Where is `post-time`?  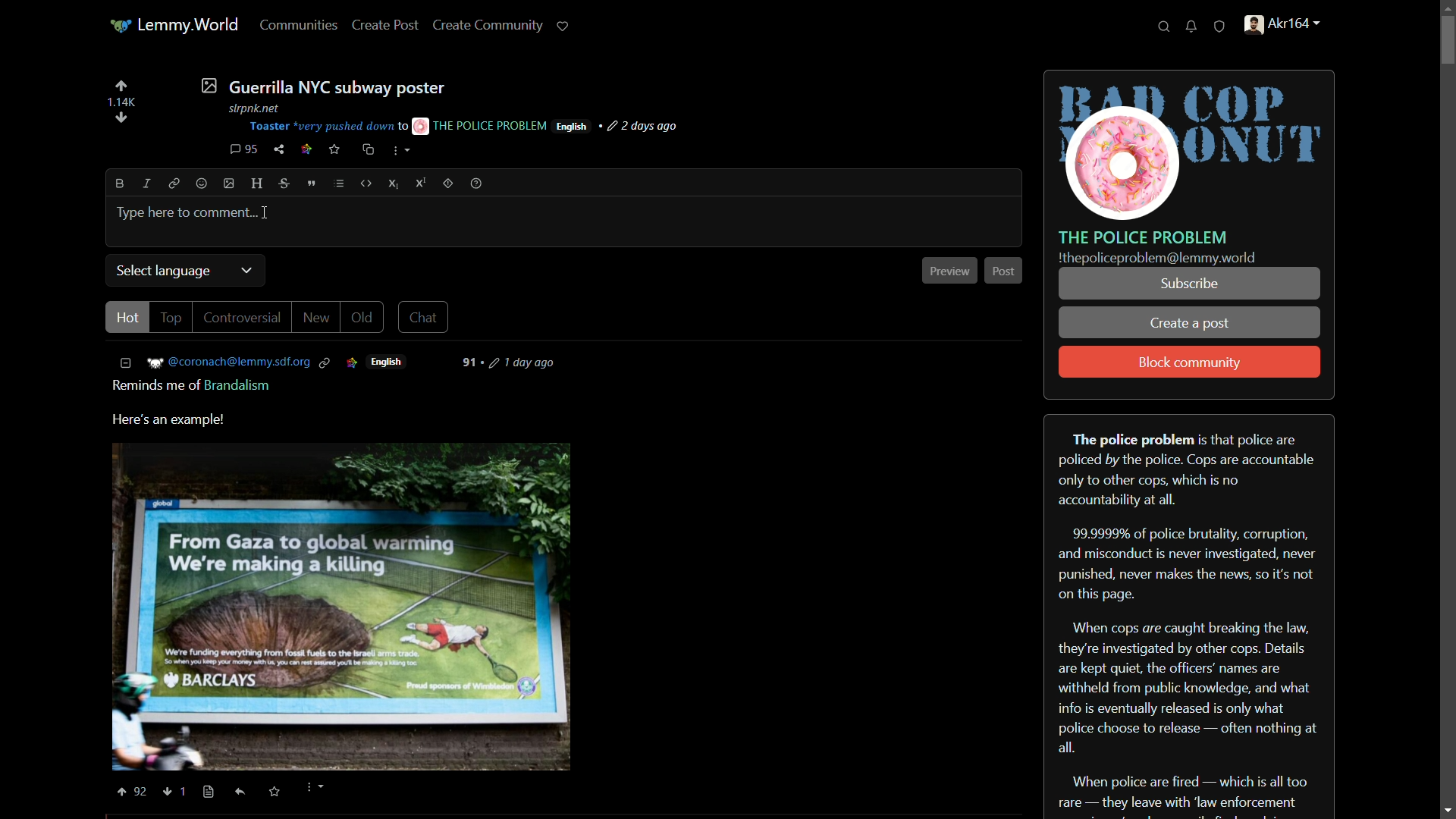
post-time is located at coordinates (524, 365).